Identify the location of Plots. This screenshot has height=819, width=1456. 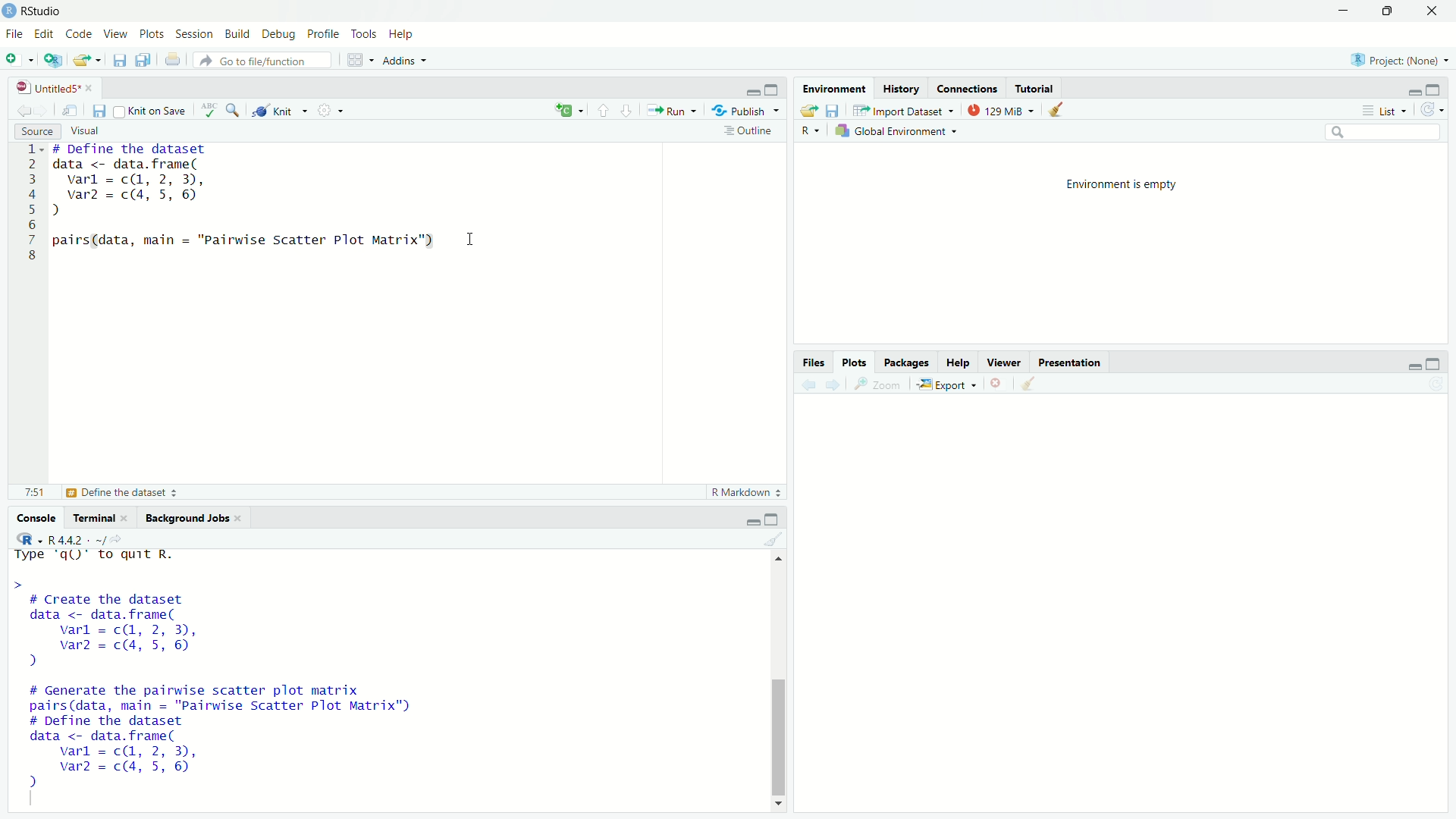
(153, 33).